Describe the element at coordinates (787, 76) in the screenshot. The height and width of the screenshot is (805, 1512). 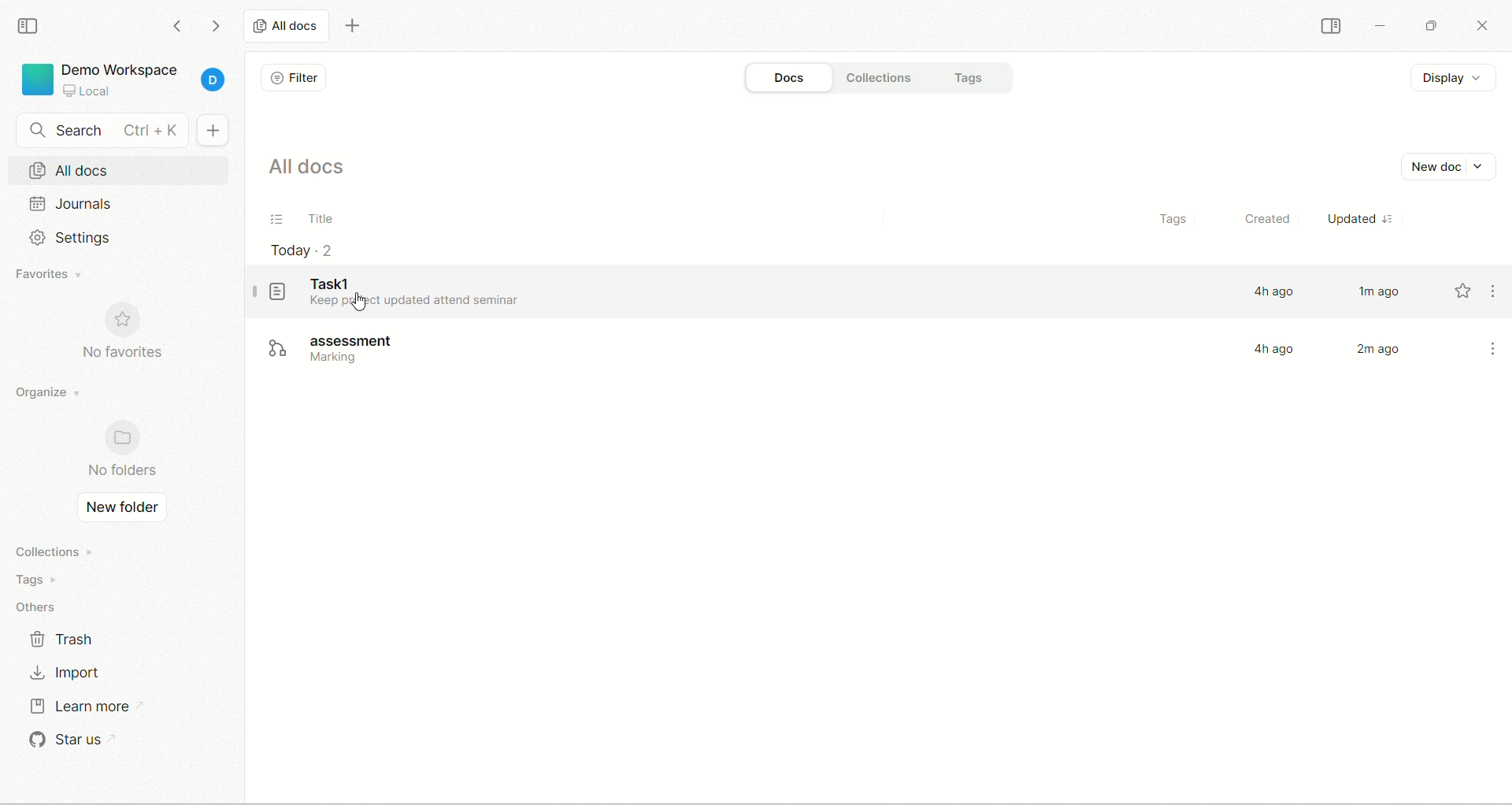
I see `docs` at that location.